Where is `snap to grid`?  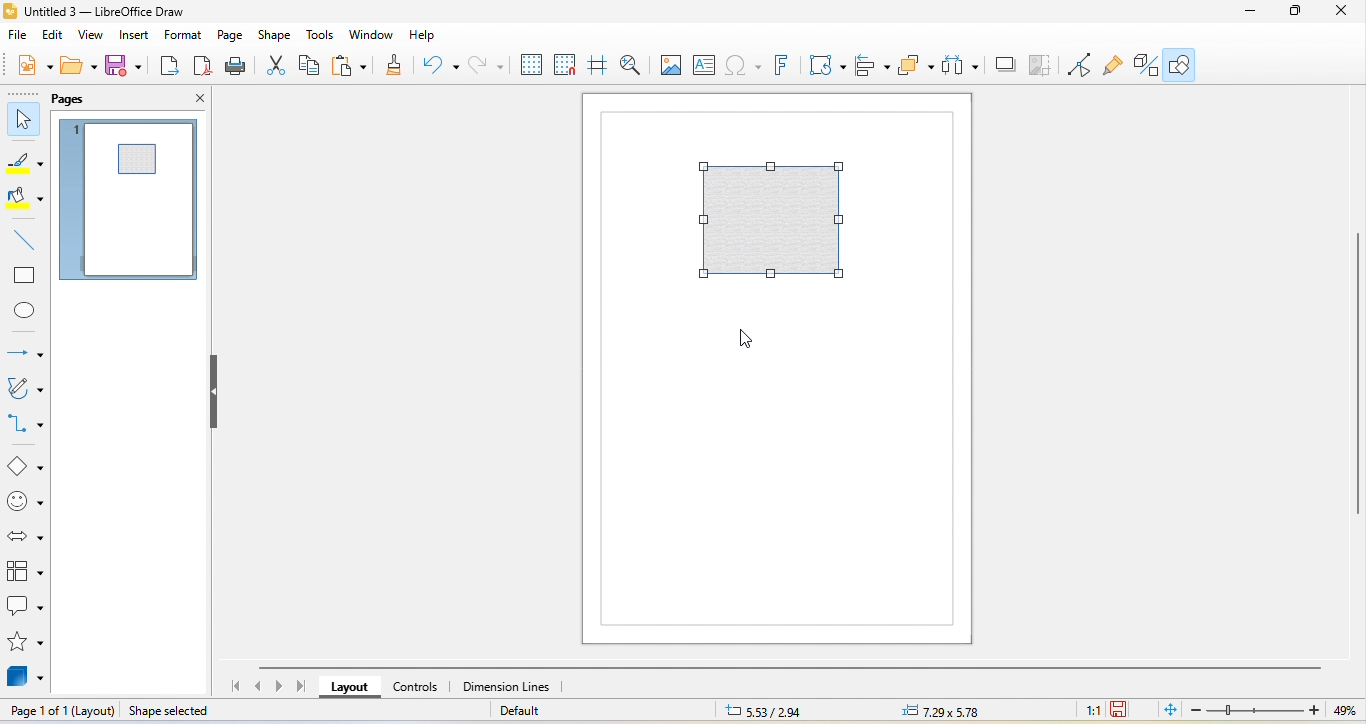
snap to grid is located at coordinates (566, 67).